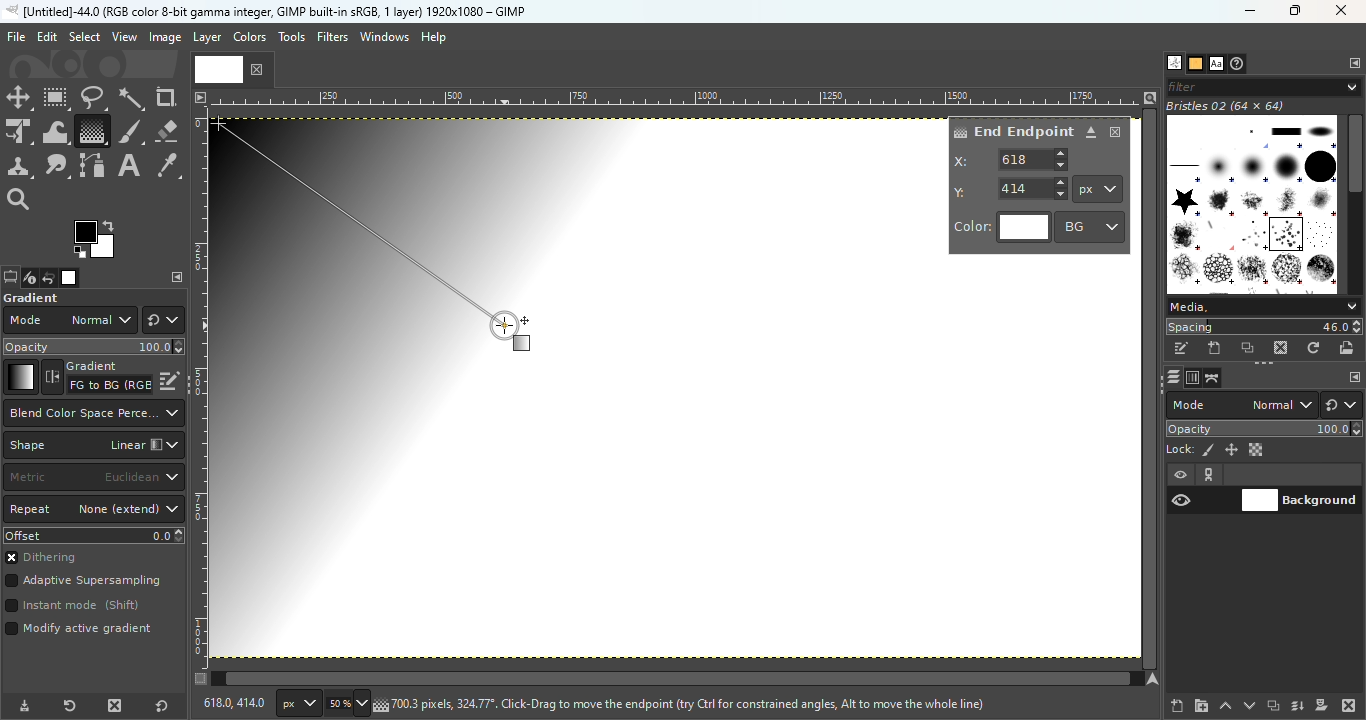 The image size is (1366, 720). Describe the element at coordinates (110, 706) in the screenshot. I see `Delete tool preset` at that location.